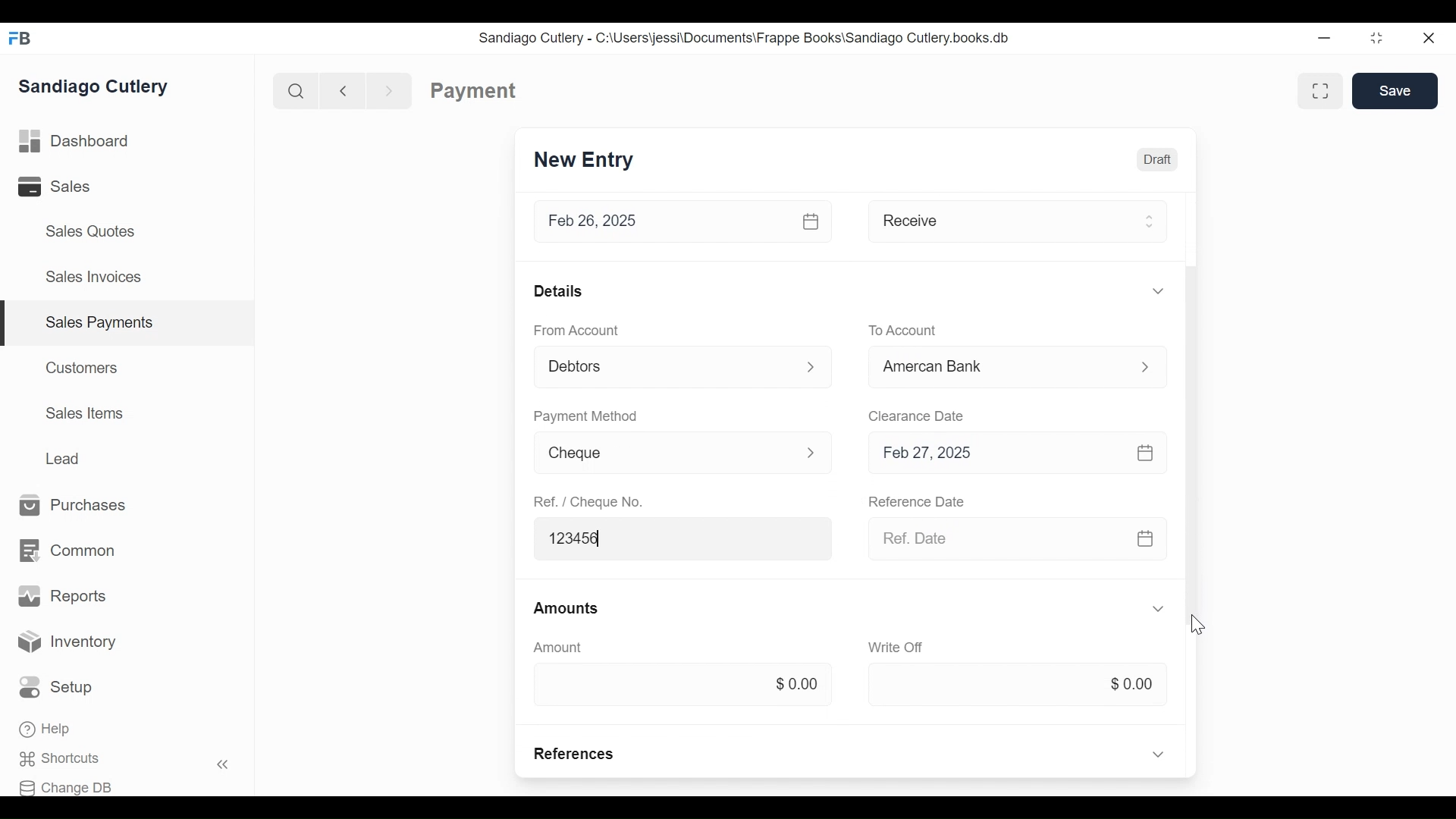  I want to click on Expand, so click(1157, 290).